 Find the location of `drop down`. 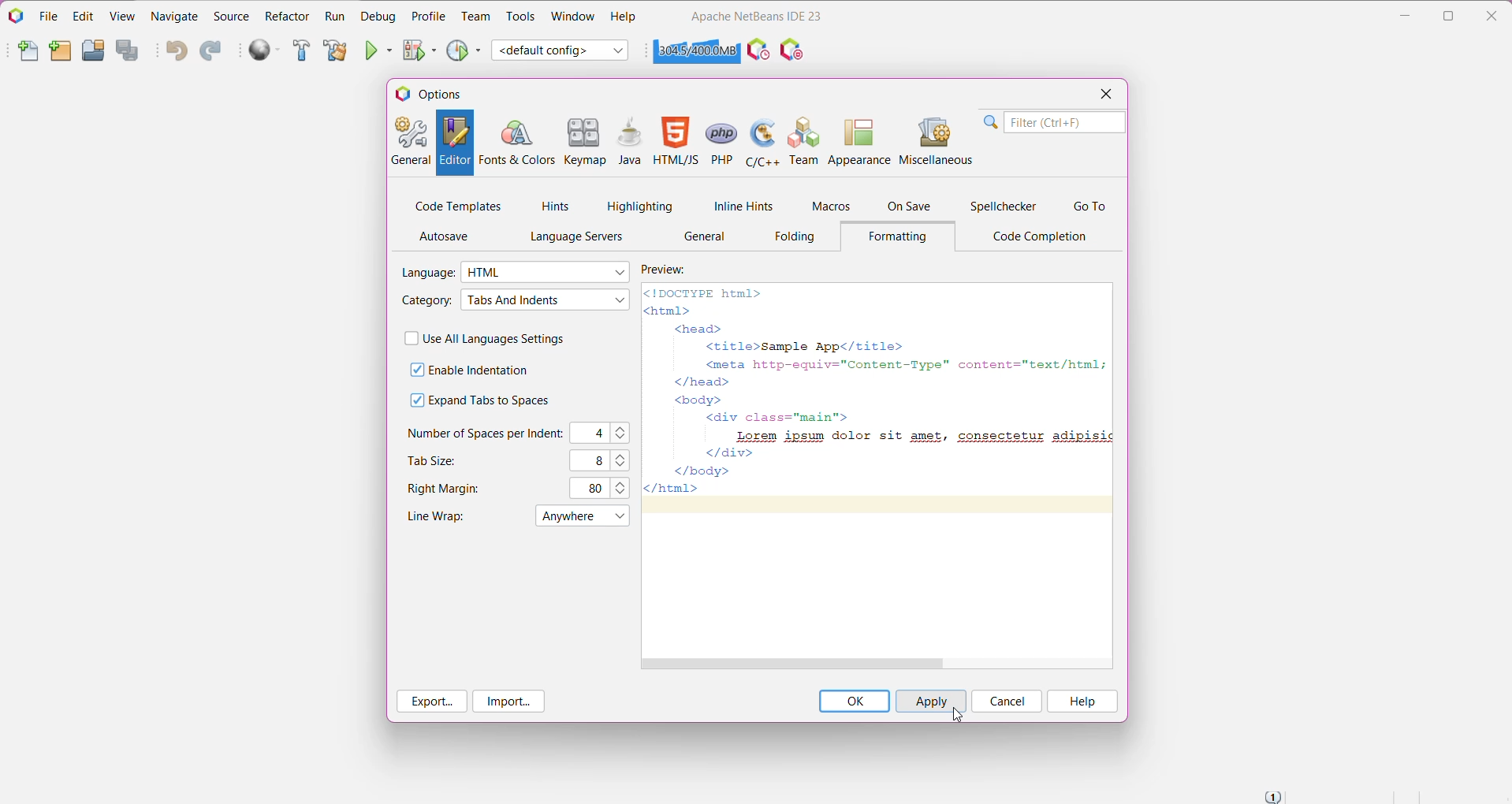

drop down is located at coordinates (620, 519).